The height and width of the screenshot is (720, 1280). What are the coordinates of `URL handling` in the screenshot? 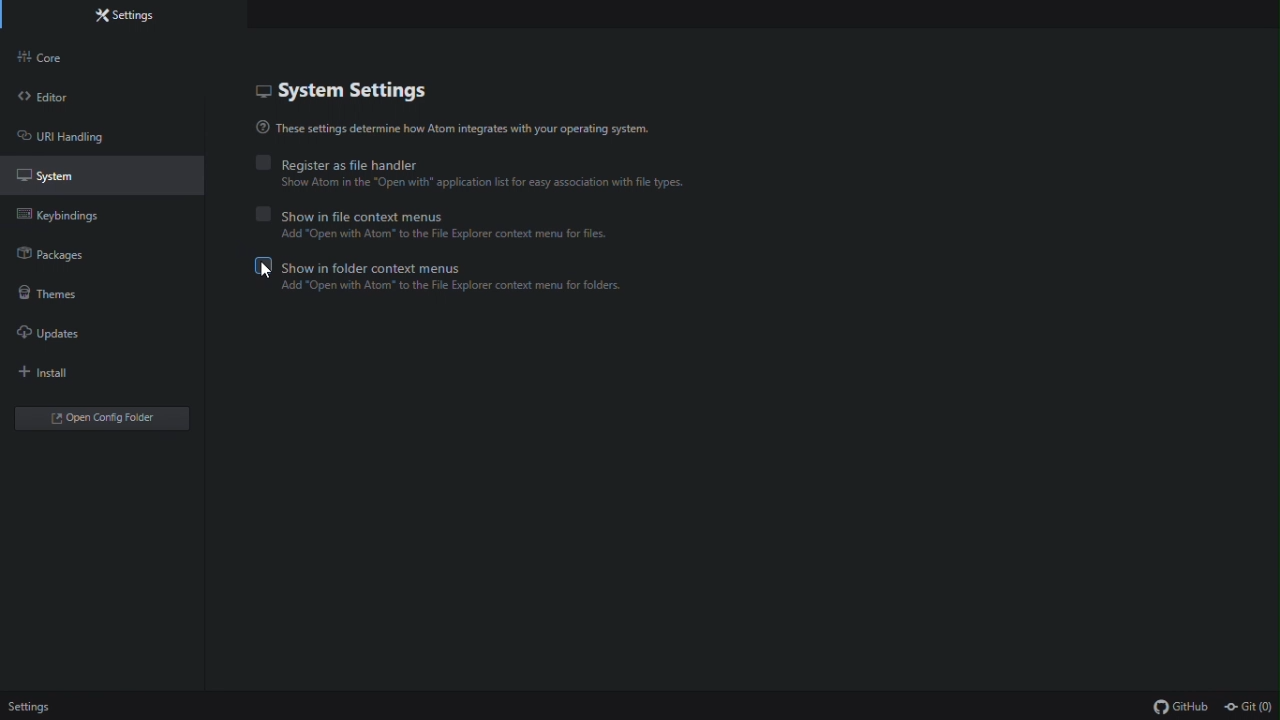 It's located at (100, 137).